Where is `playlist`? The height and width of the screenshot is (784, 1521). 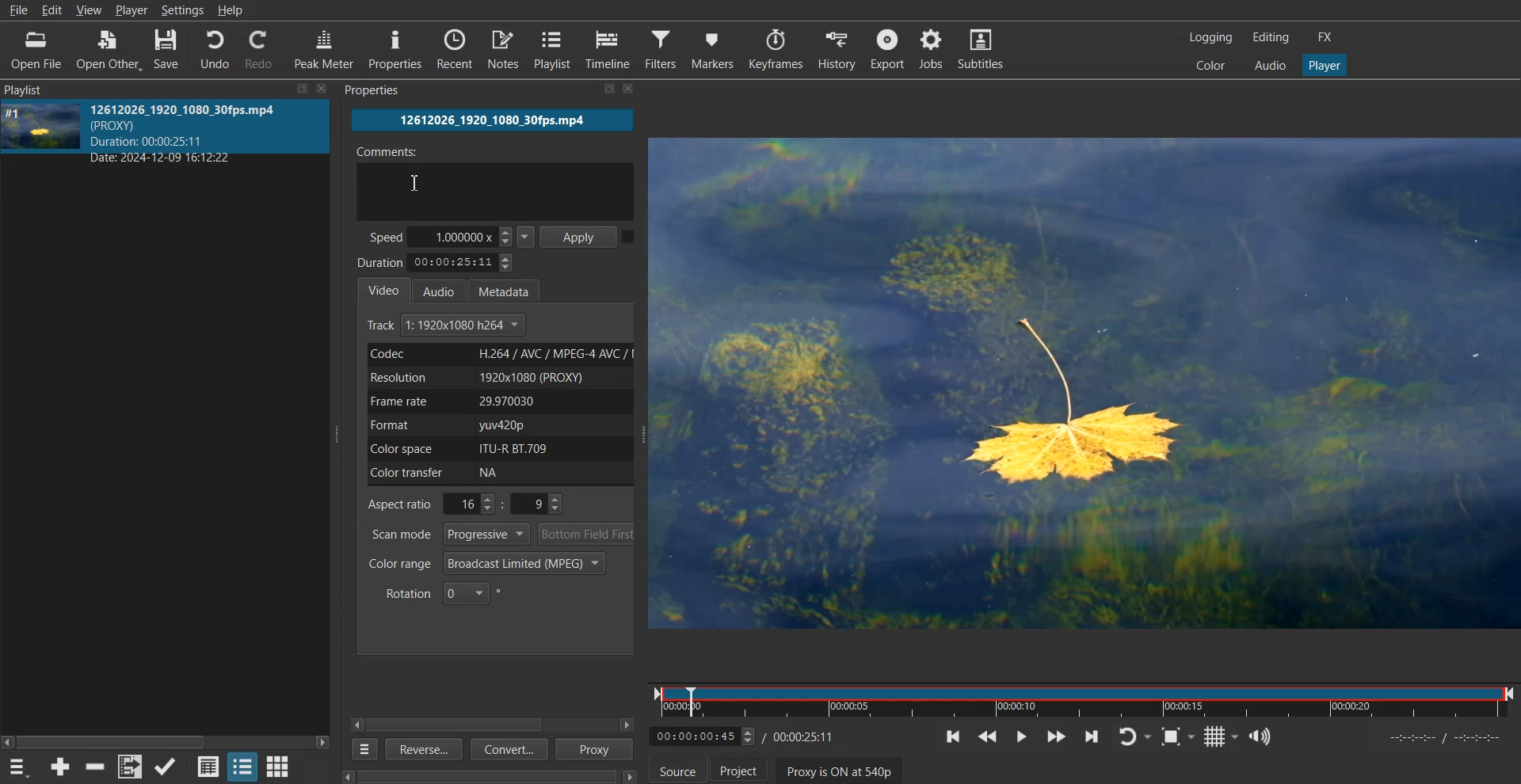 playlist is located at coordinates (41, 89).